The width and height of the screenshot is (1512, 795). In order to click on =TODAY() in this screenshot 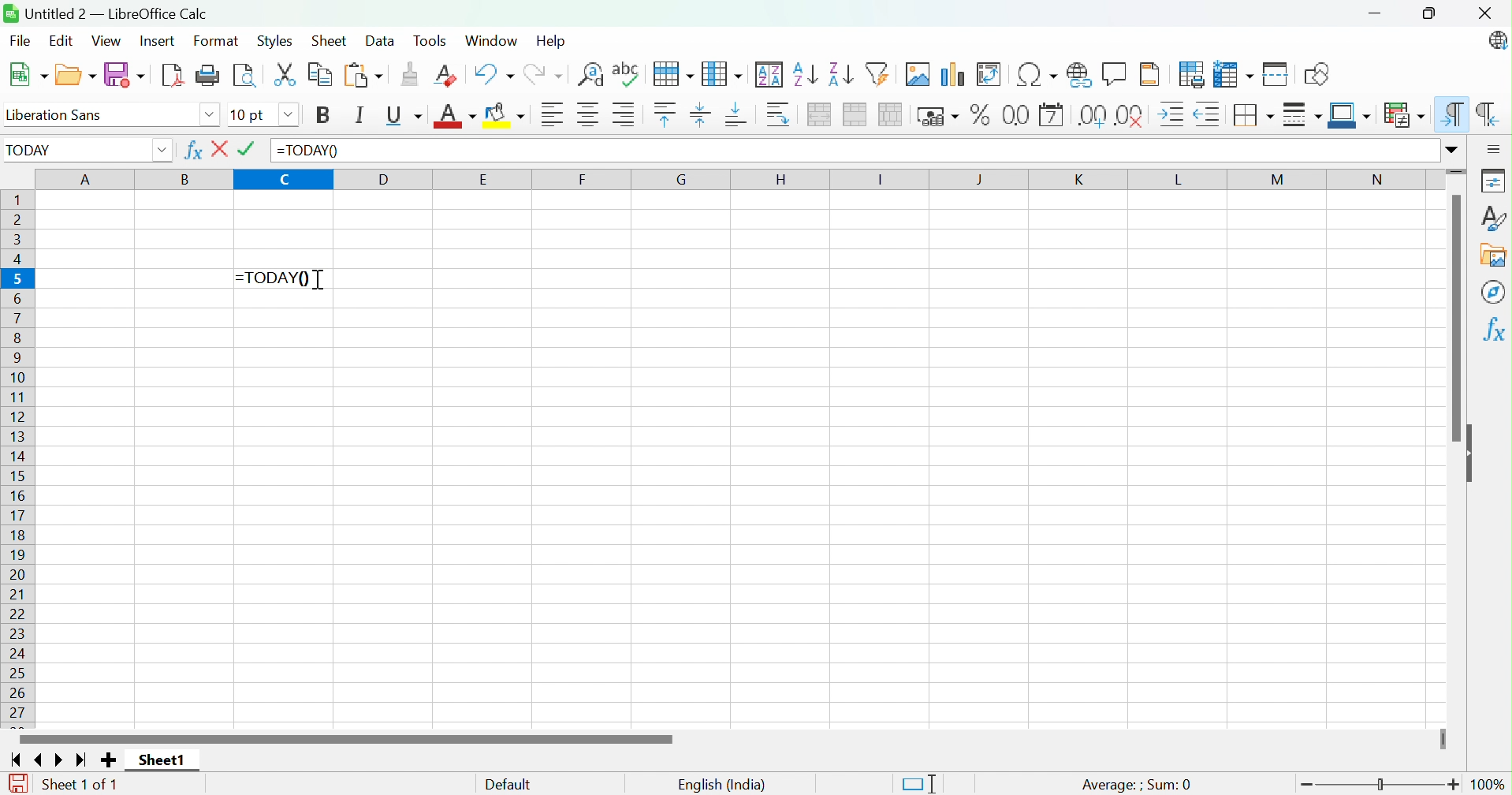, I will do `click(275, 277)`.